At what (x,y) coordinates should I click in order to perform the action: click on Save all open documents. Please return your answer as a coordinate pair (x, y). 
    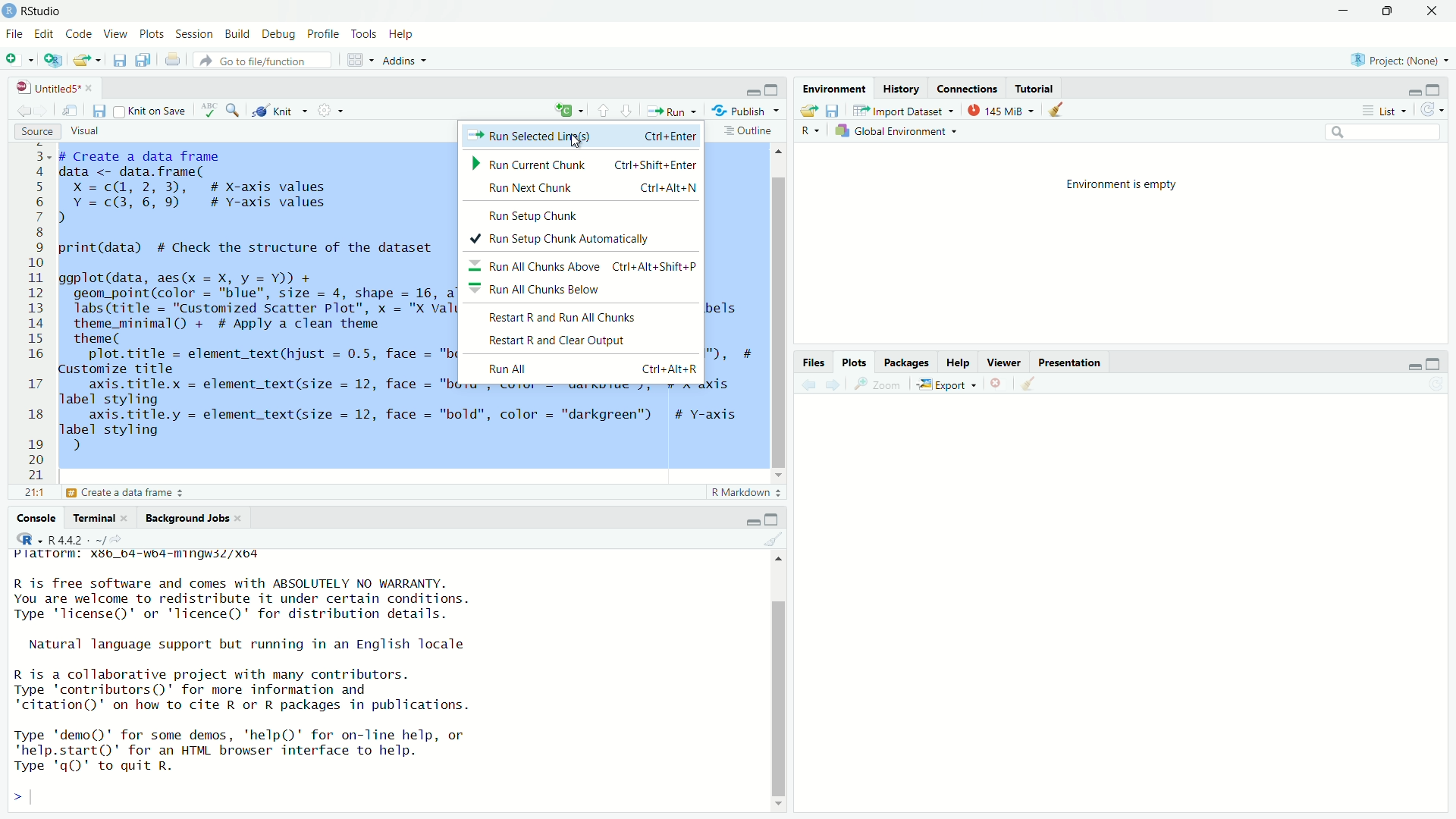
    Looking at the image, I should click on (144, 60).